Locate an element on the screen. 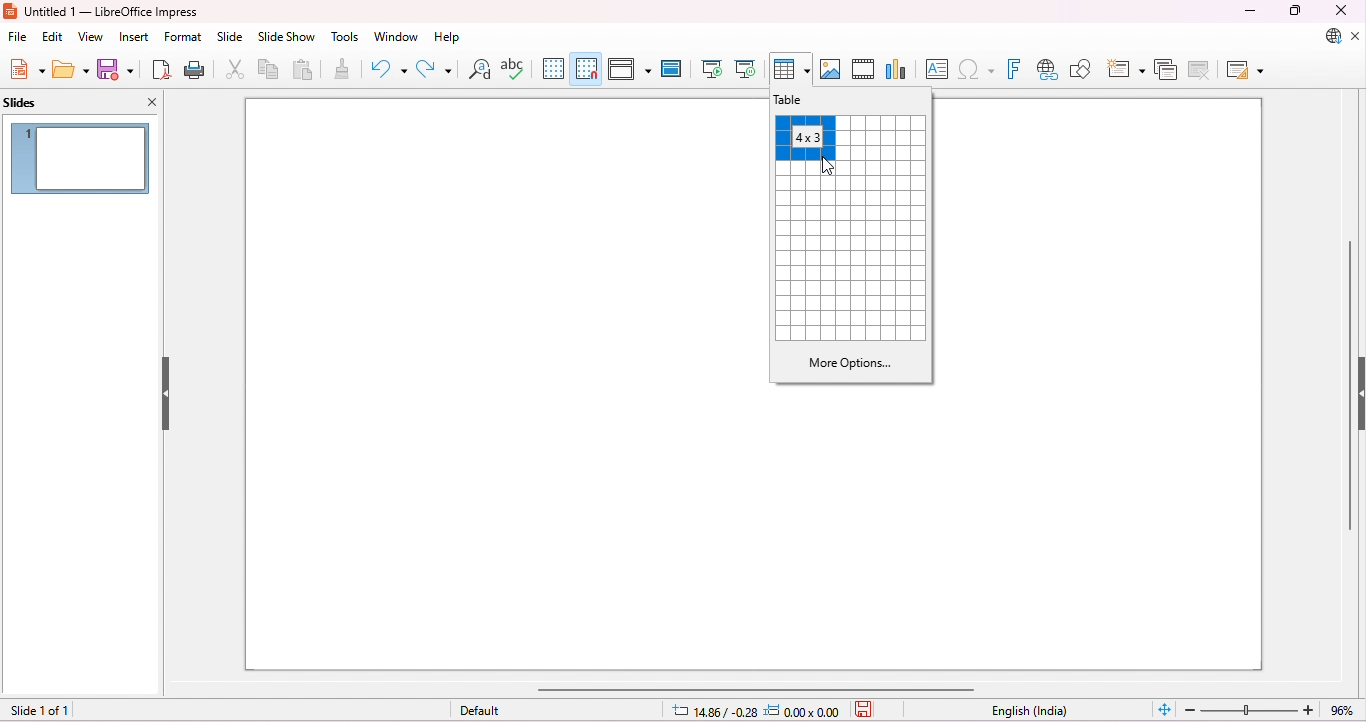  insert audio or video is located at coordinates (863, 70).